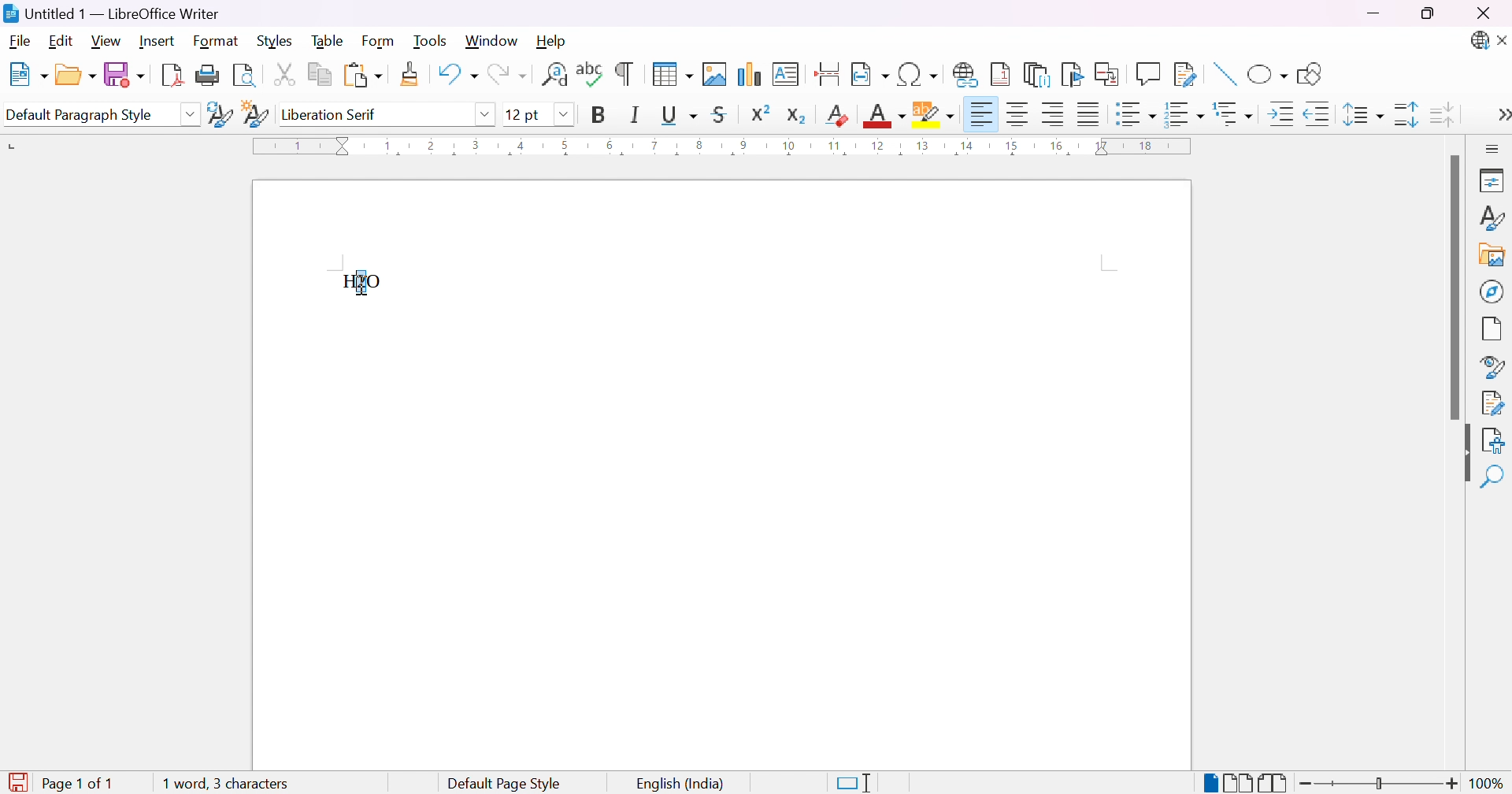  What do you see at coordinates (1408, 114) in the screenshot?
I see `Increase paragraph spacing` at bounding box center [1408, 114].